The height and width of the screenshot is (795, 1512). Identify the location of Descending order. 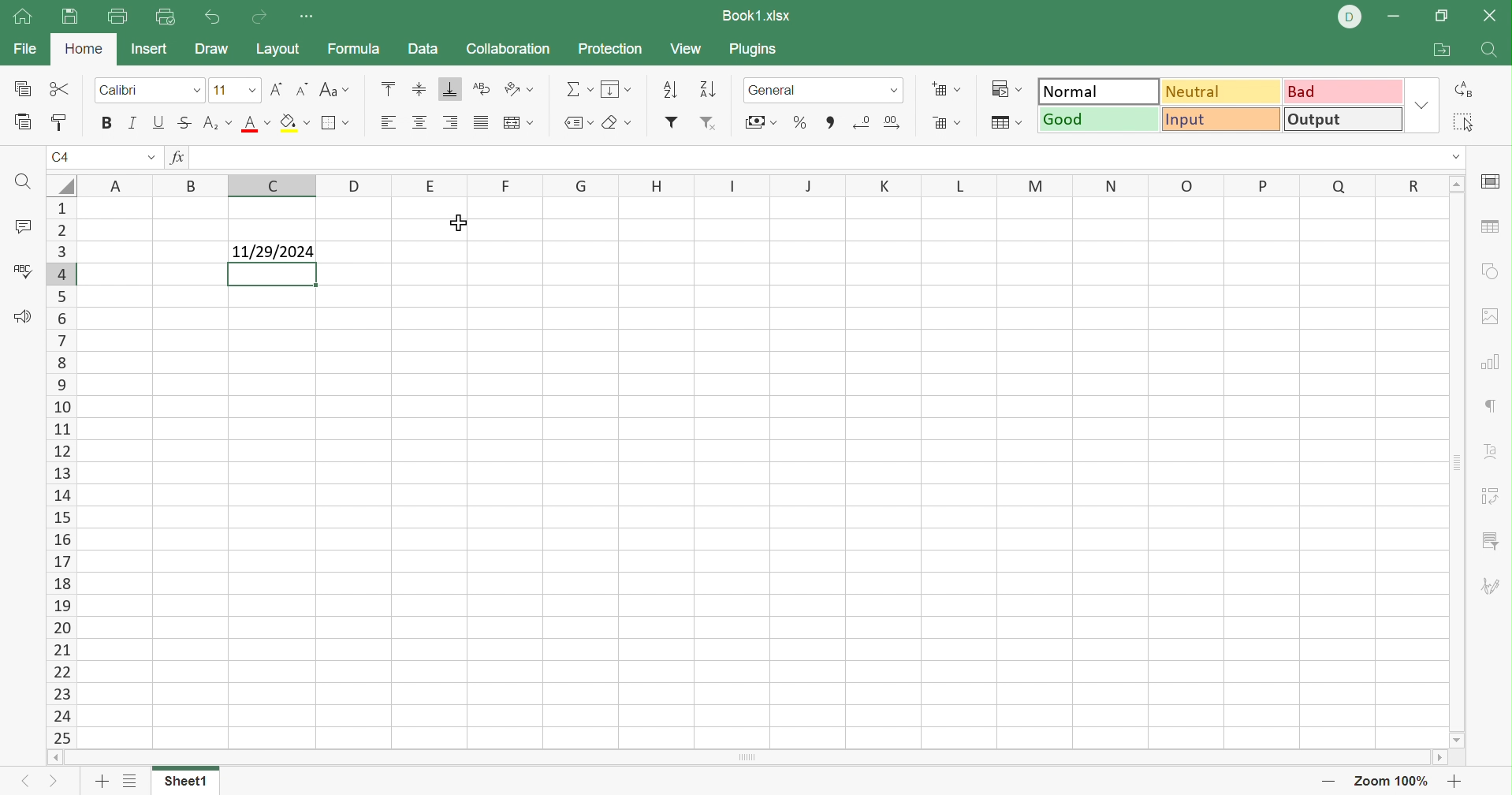
(711, 88).